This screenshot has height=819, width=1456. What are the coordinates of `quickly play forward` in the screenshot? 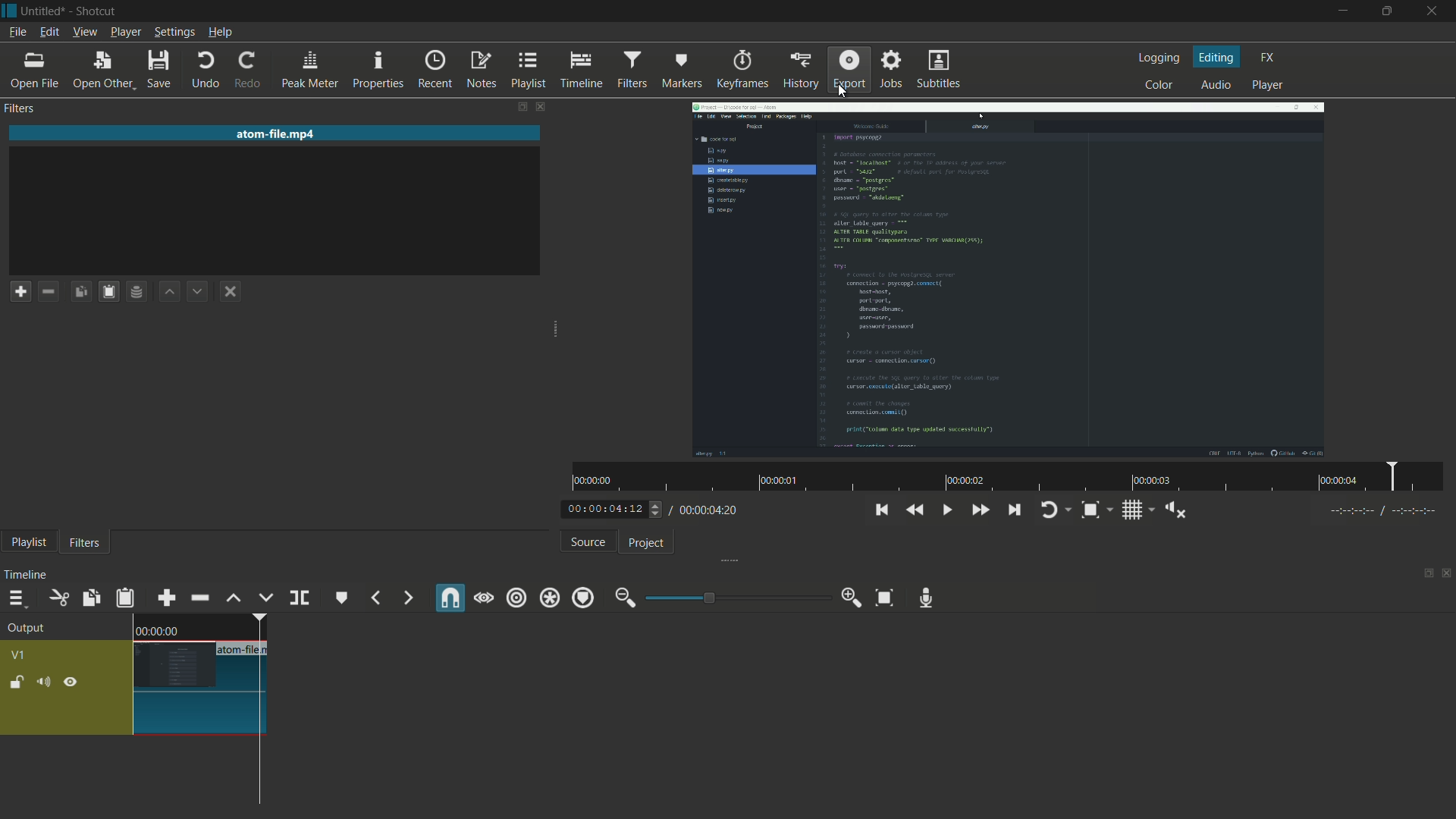 It's located at (981, 511).